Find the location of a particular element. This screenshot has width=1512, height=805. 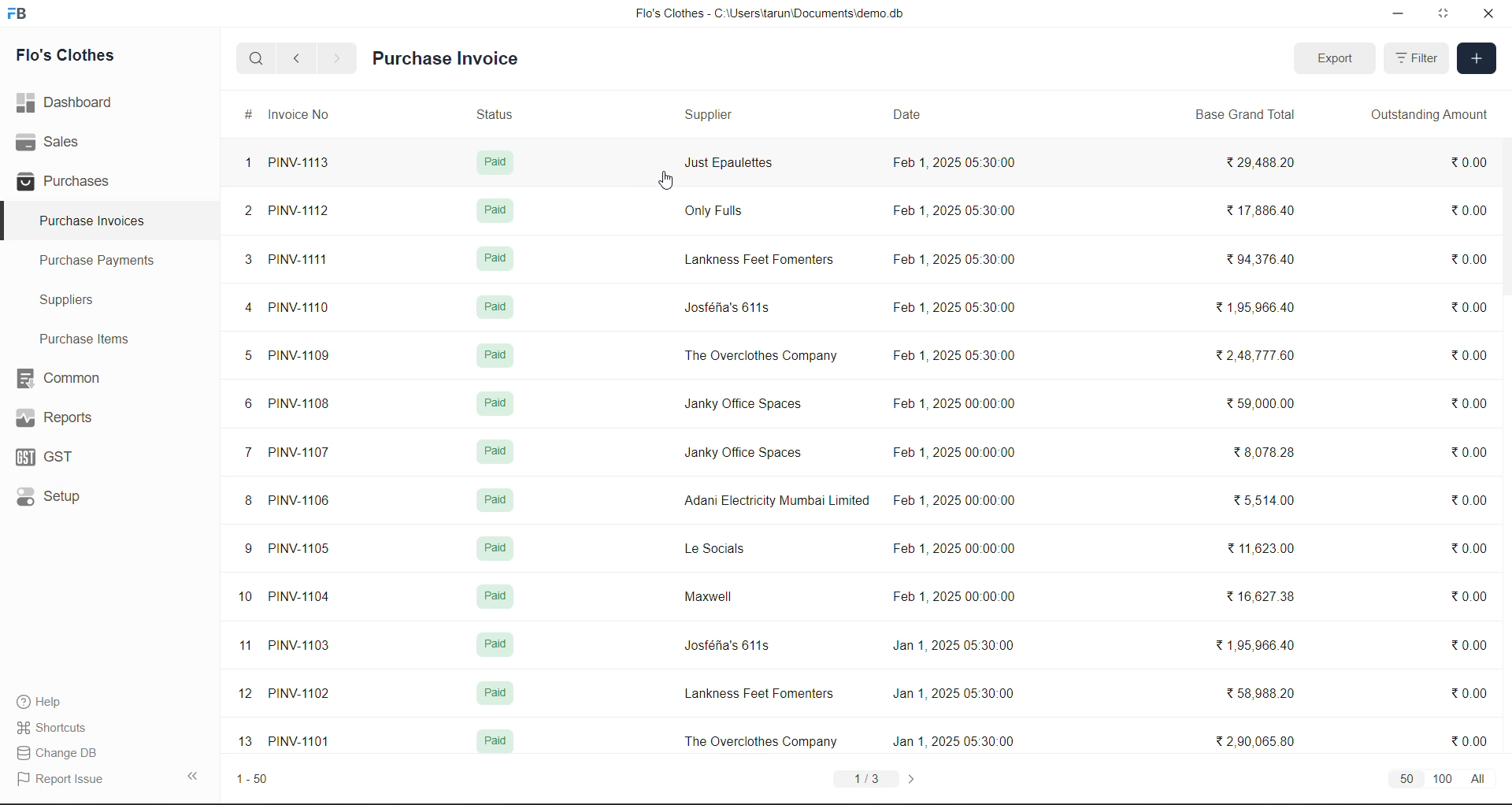

₹2.90,065.80 is located at coordinates (1266, 740).